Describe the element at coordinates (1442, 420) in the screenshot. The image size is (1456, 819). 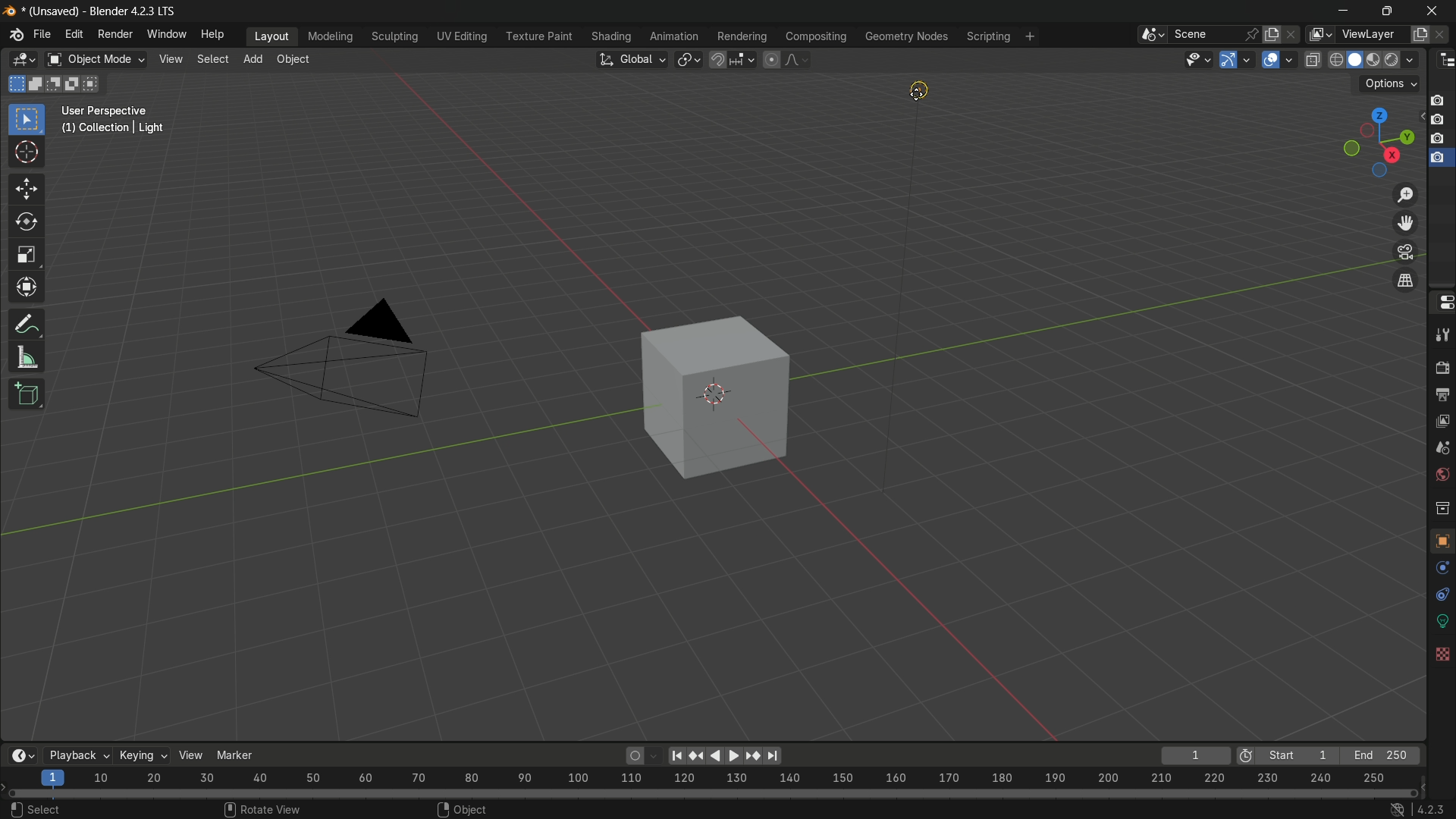
I see `view layer` at that location.